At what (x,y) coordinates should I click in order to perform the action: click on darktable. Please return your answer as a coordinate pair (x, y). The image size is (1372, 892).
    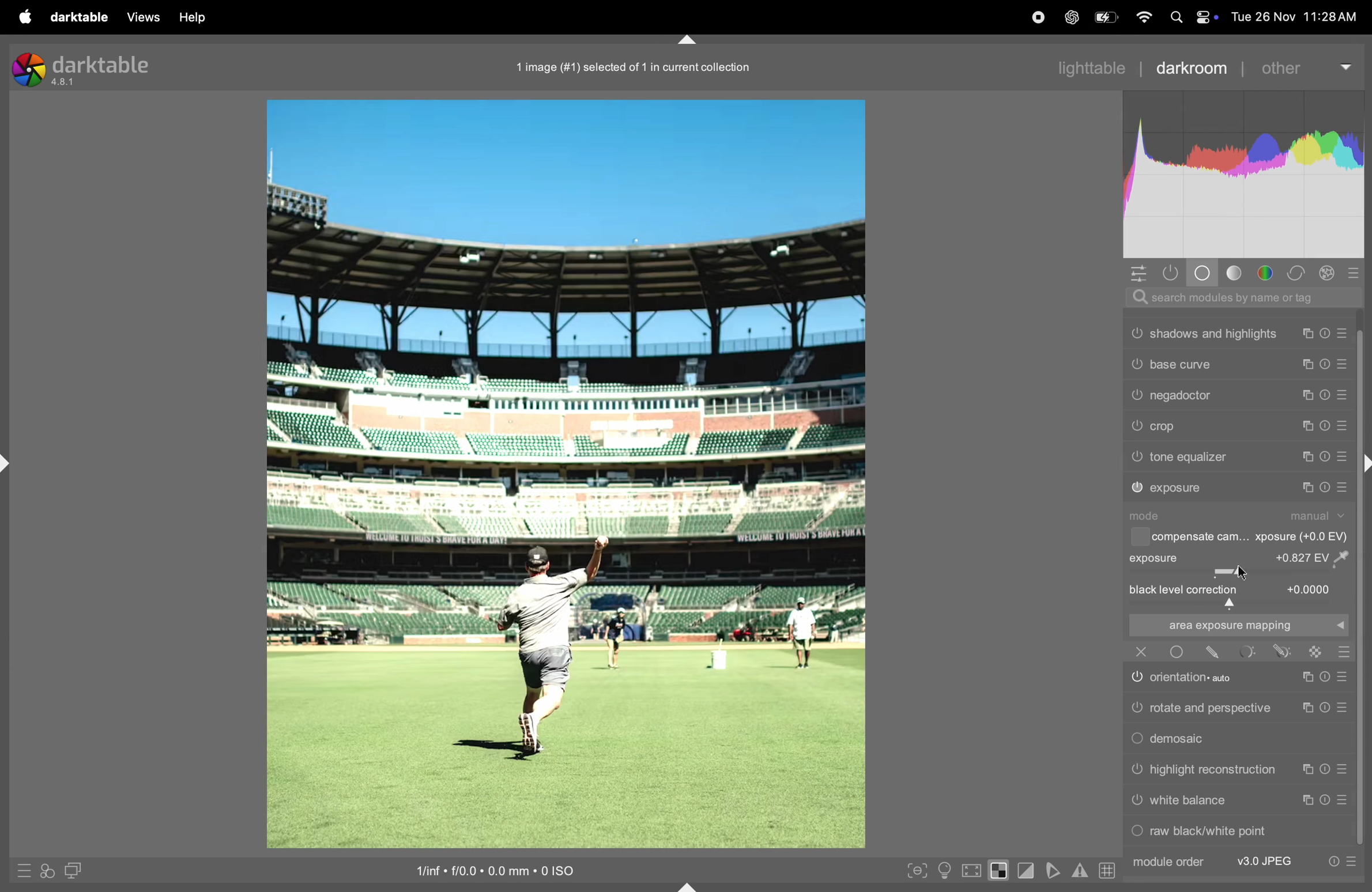
    Looking at the image, I should click on (103, 64).